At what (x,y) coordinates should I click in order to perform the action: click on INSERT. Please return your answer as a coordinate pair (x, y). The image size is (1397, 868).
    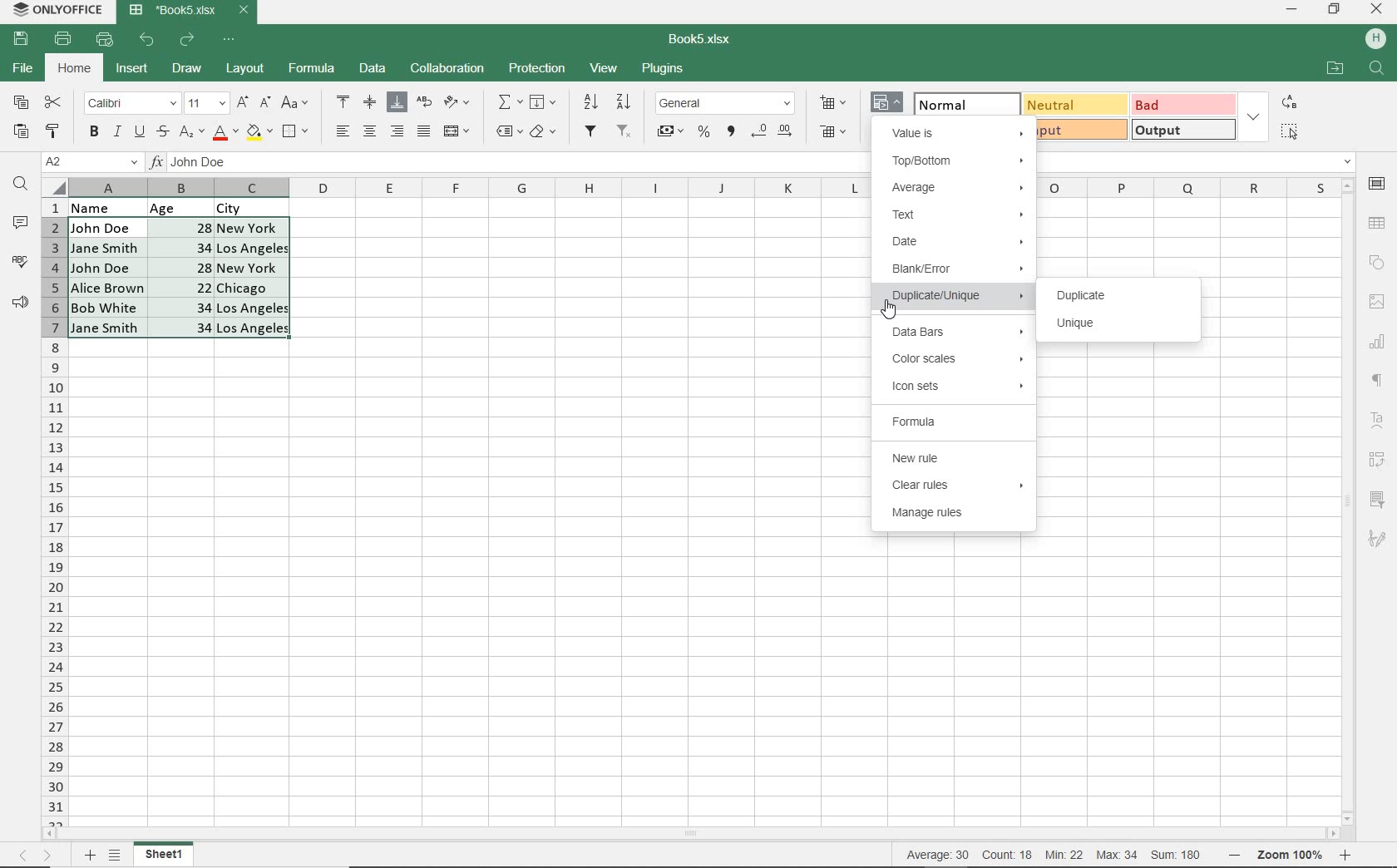
    Looking at the image, I should click on (132, 71).